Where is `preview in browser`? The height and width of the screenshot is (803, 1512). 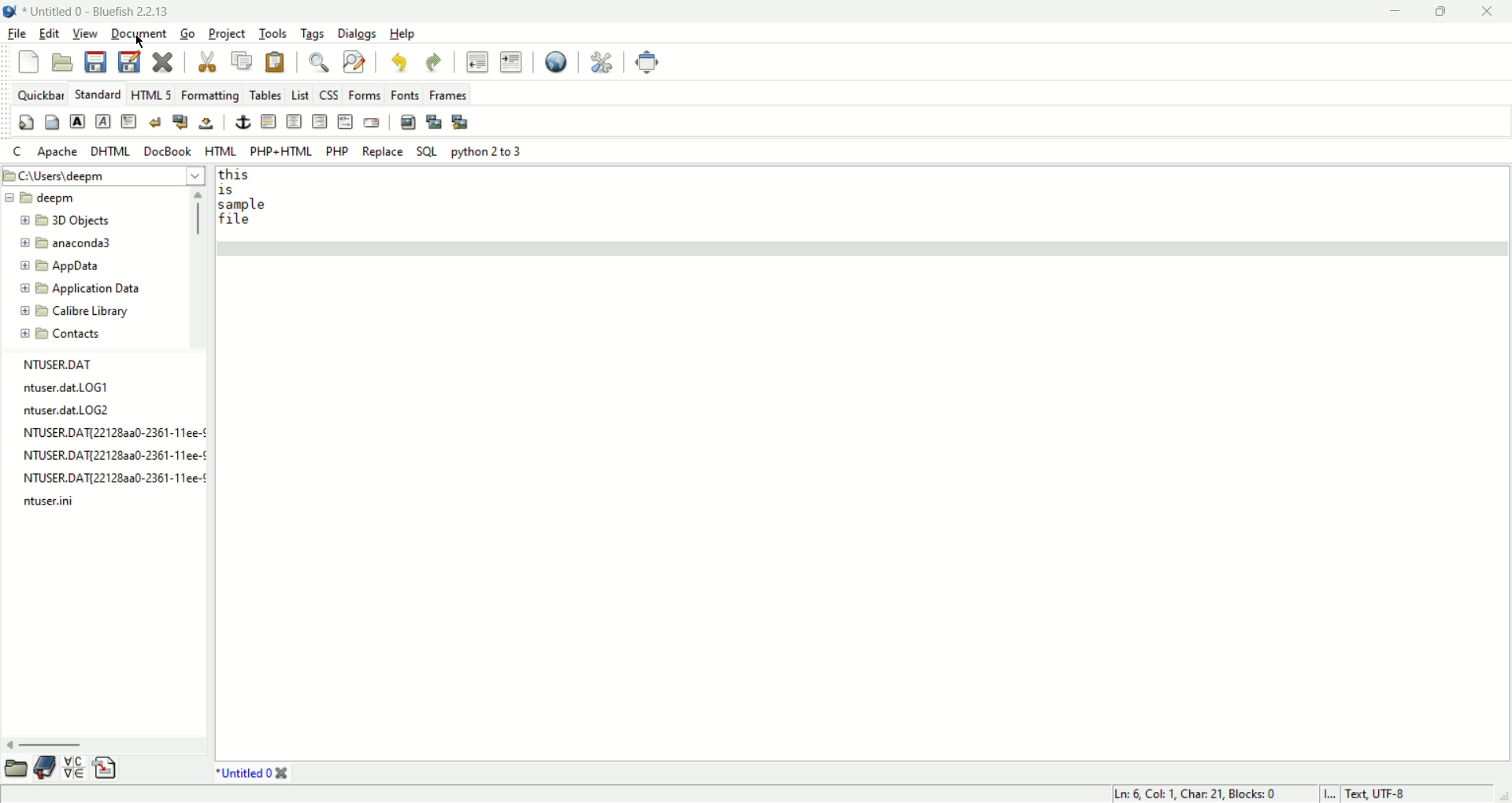 preview in browser is located at coordinates (558, 61).